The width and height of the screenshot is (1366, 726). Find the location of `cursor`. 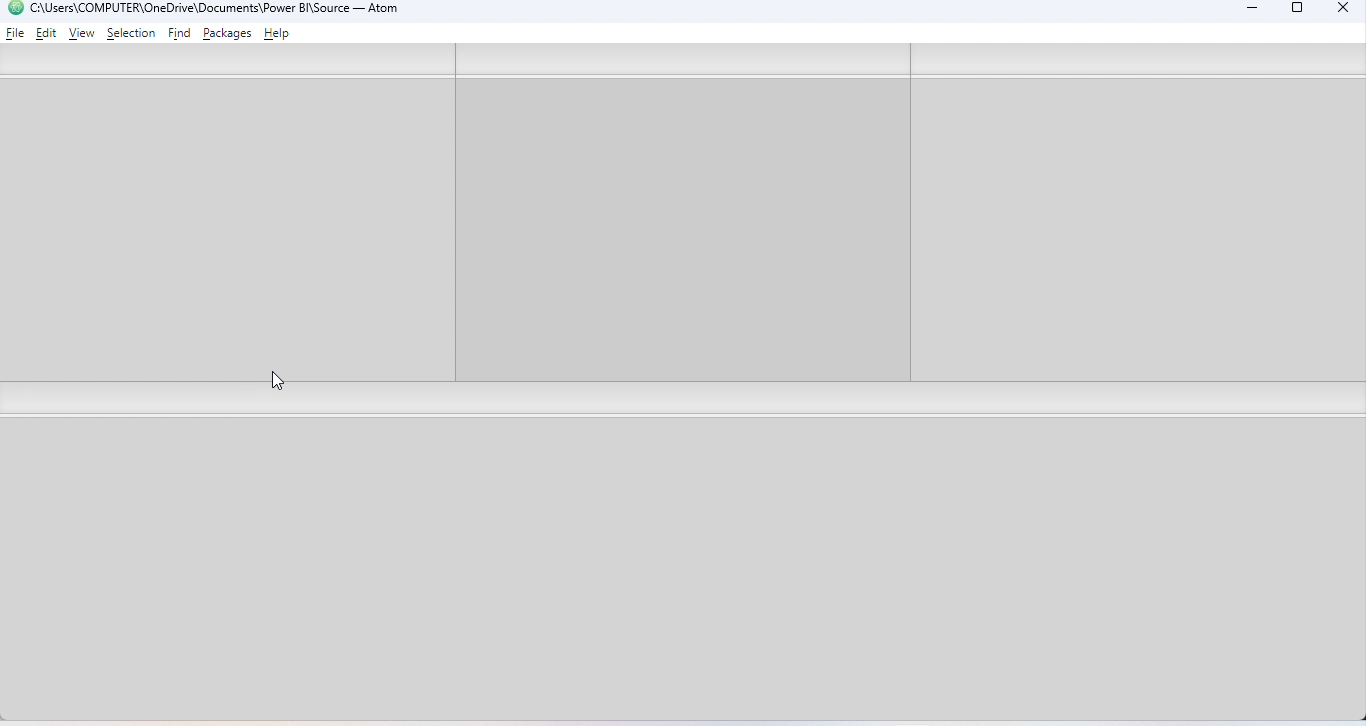

cursor is located at coordinates (274, 380).